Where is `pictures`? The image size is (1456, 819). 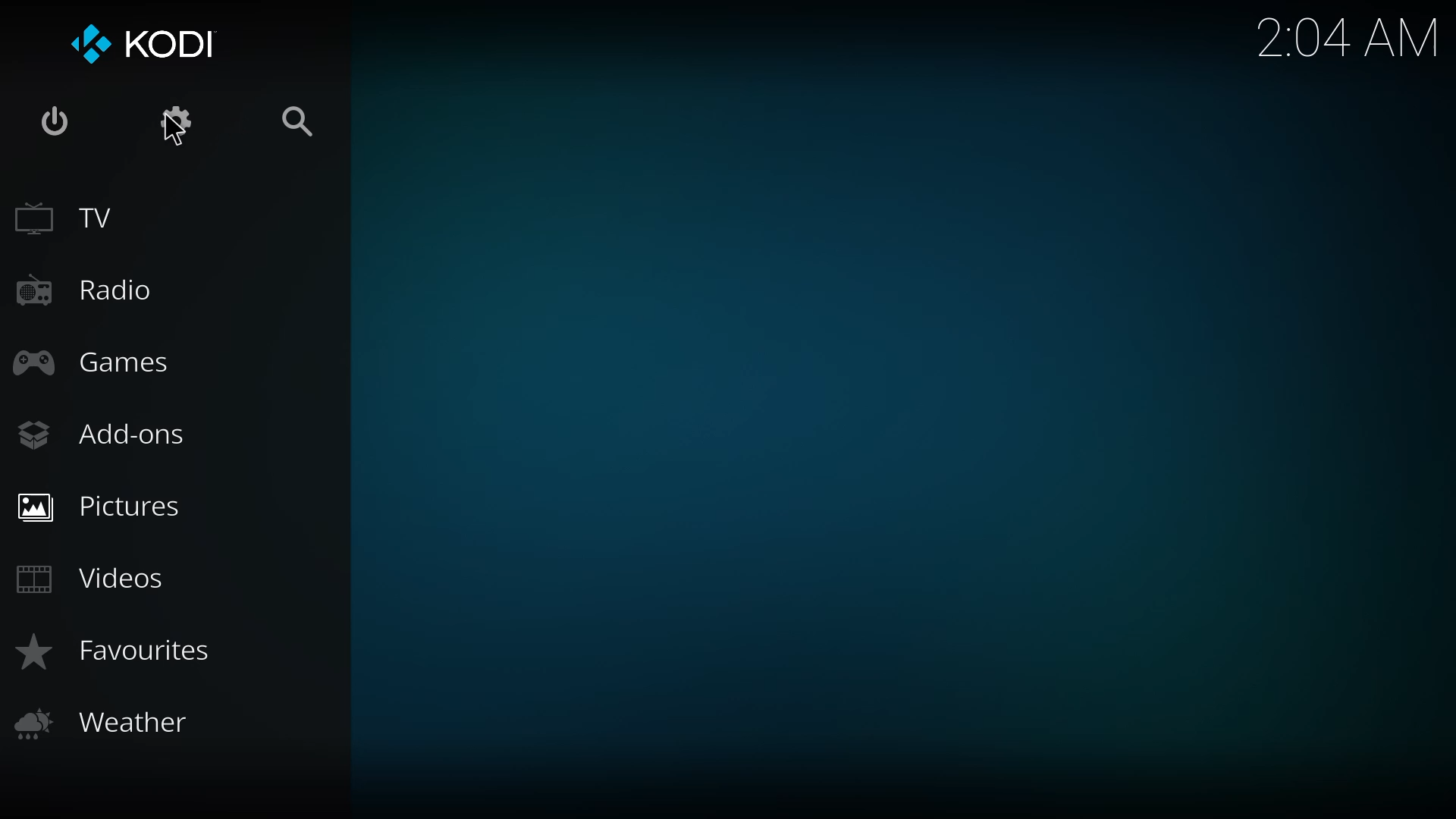 pictures is located at coordinates (102, 506).